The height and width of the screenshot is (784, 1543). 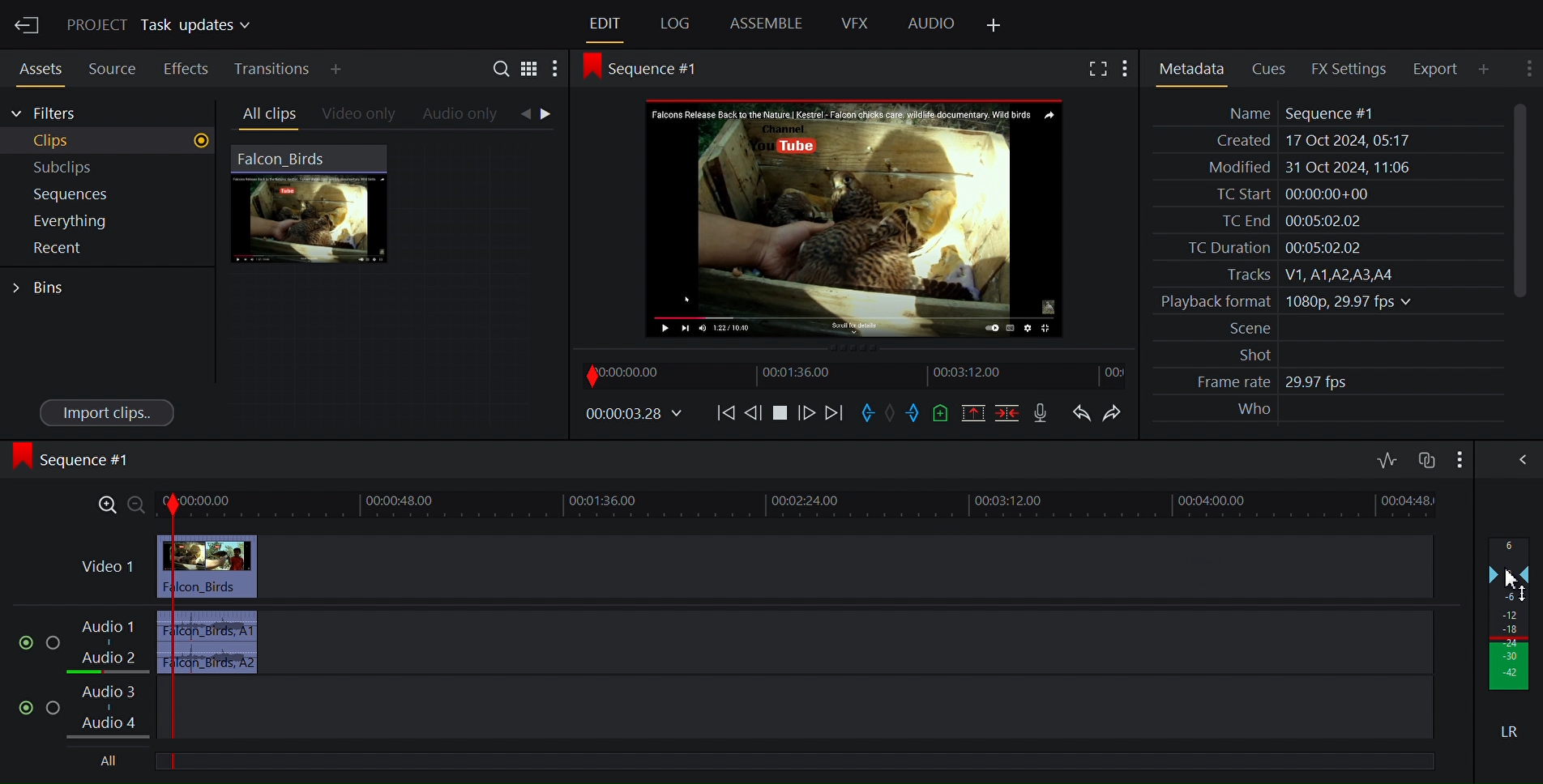 I want to click on Assemble, so click(x=765, y=24).